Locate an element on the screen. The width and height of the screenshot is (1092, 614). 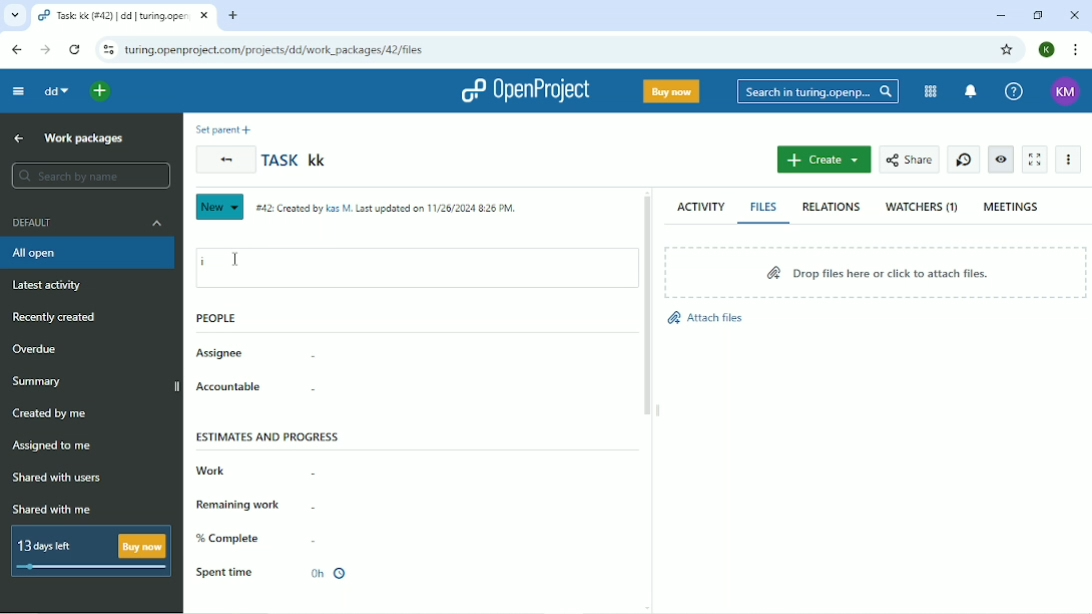
Reload this page is located at coordinates (75, 48).